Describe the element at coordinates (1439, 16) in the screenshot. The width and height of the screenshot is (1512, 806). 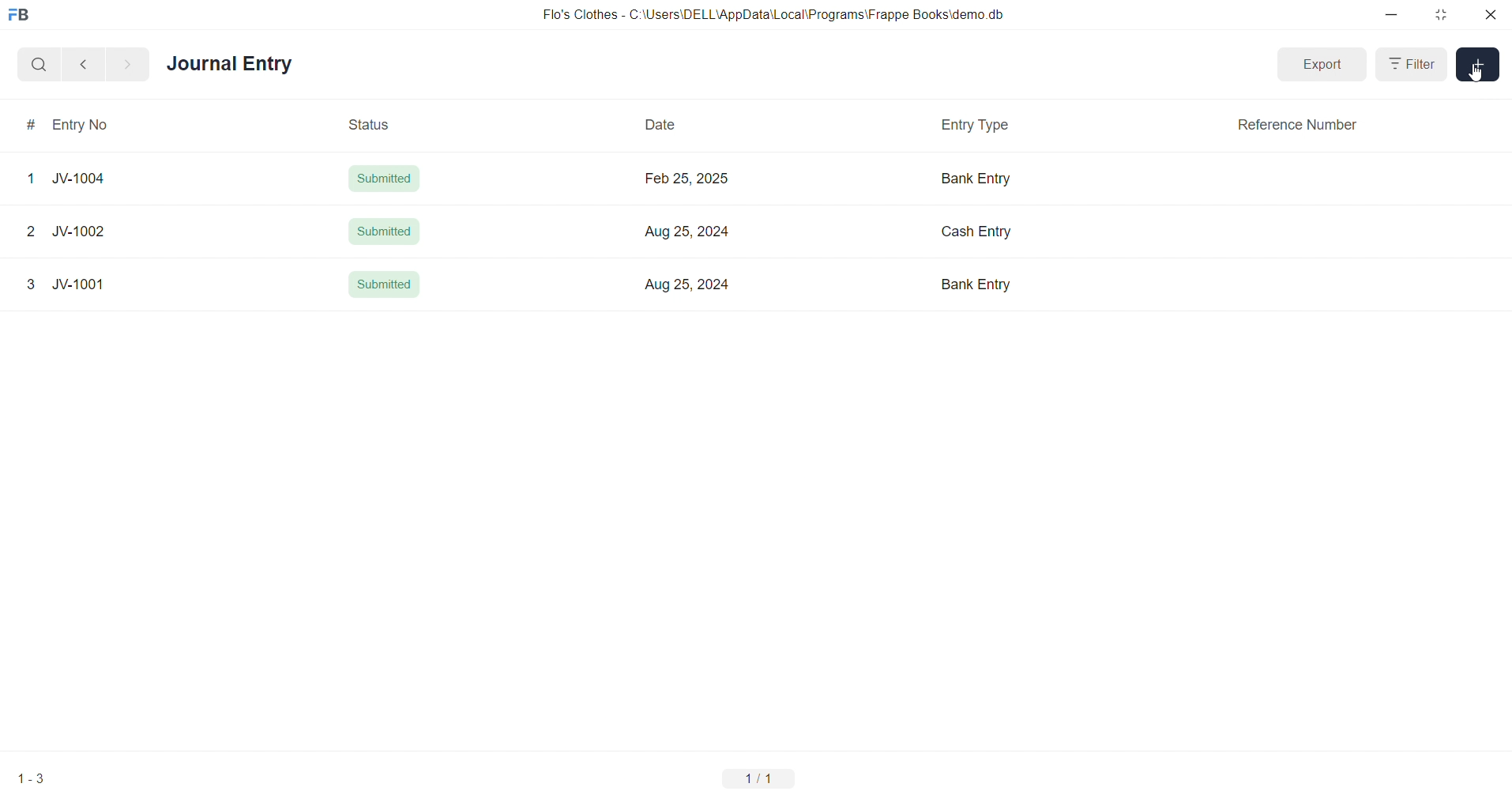
I see `resize` at that location.